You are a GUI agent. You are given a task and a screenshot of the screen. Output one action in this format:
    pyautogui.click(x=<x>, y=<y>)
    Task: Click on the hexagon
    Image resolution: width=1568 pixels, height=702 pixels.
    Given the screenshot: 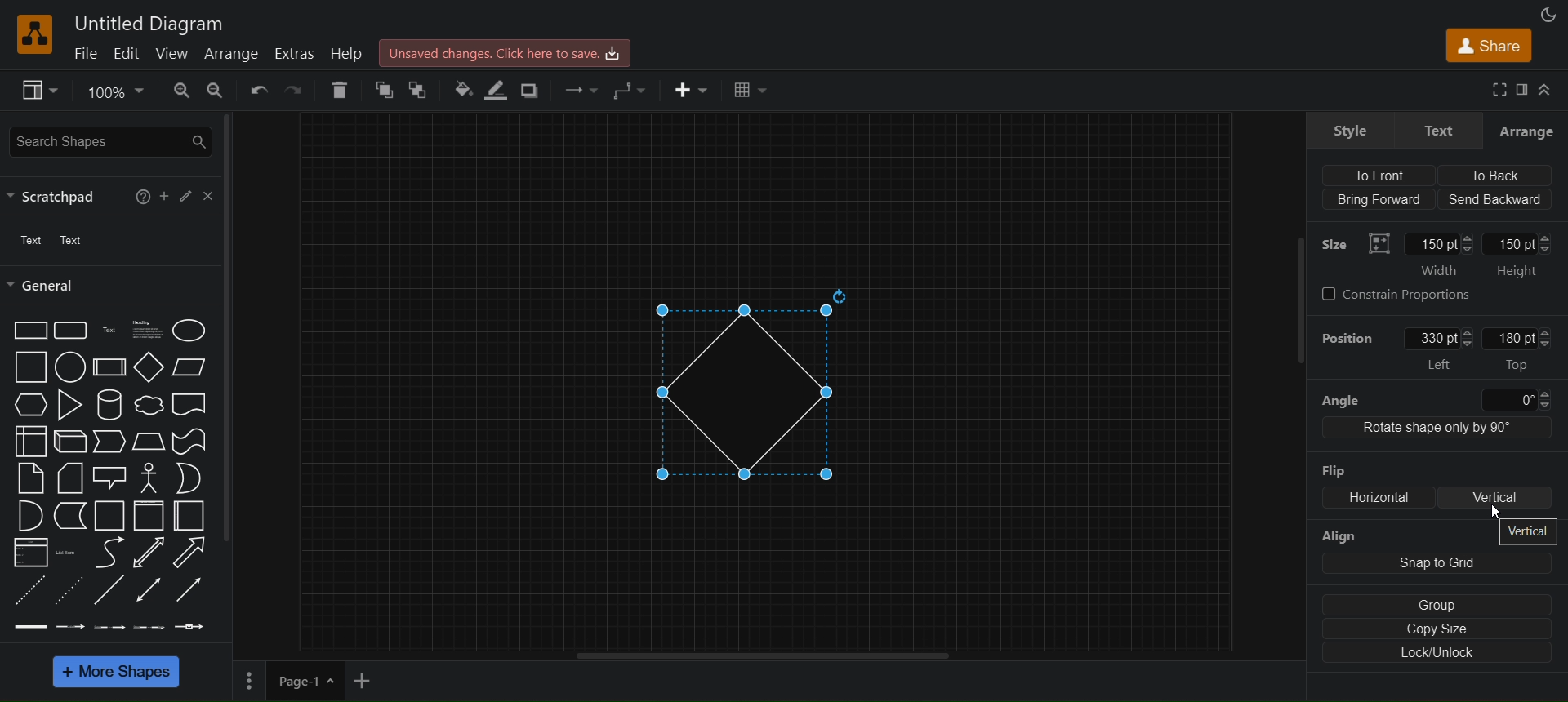 What is the action you would take?
    pyautogui.click(x=28, y=404)
    